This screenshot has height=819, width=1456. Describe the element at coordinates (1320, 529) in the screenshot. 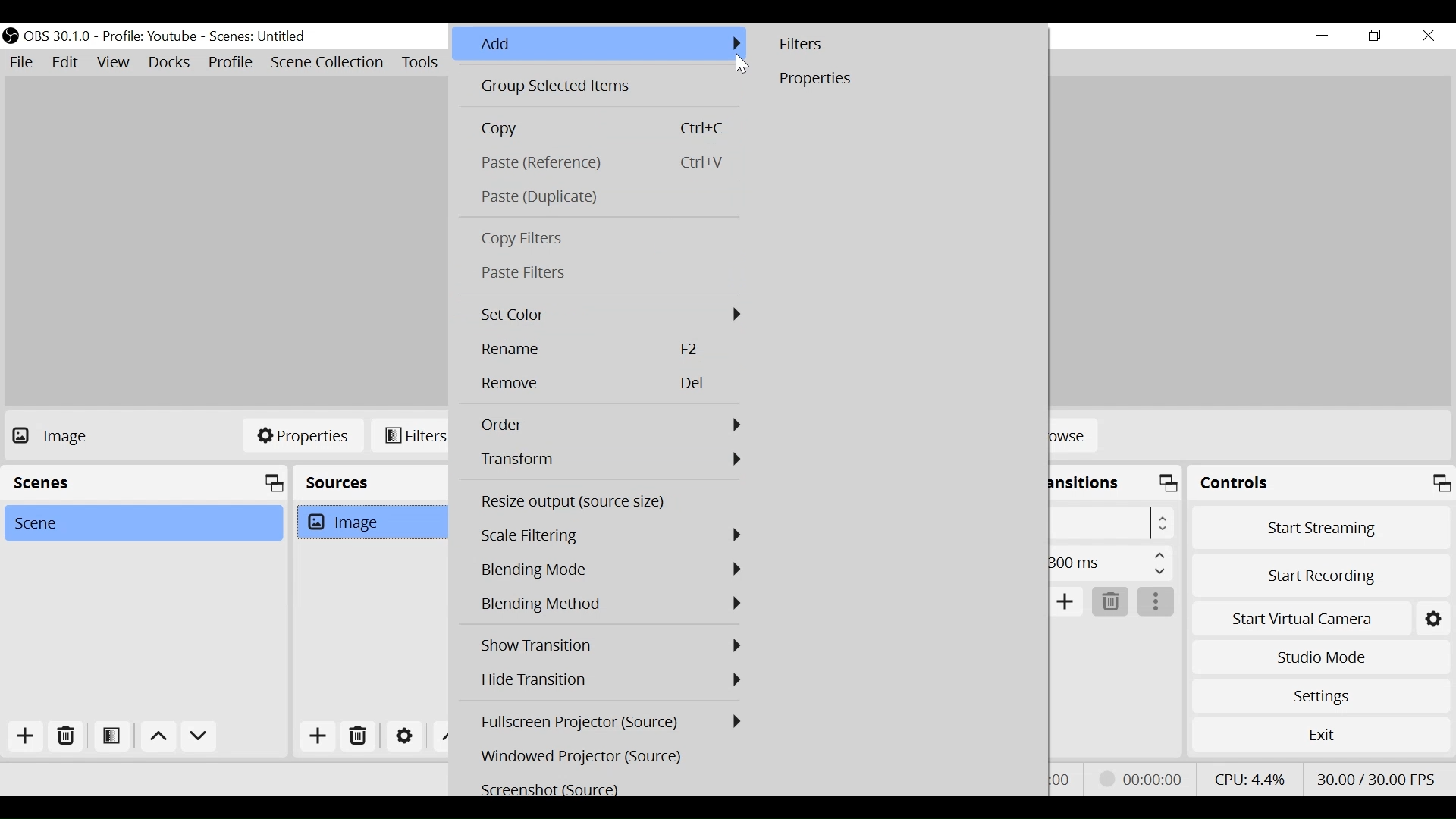

I see `Start Streaming` at that location.